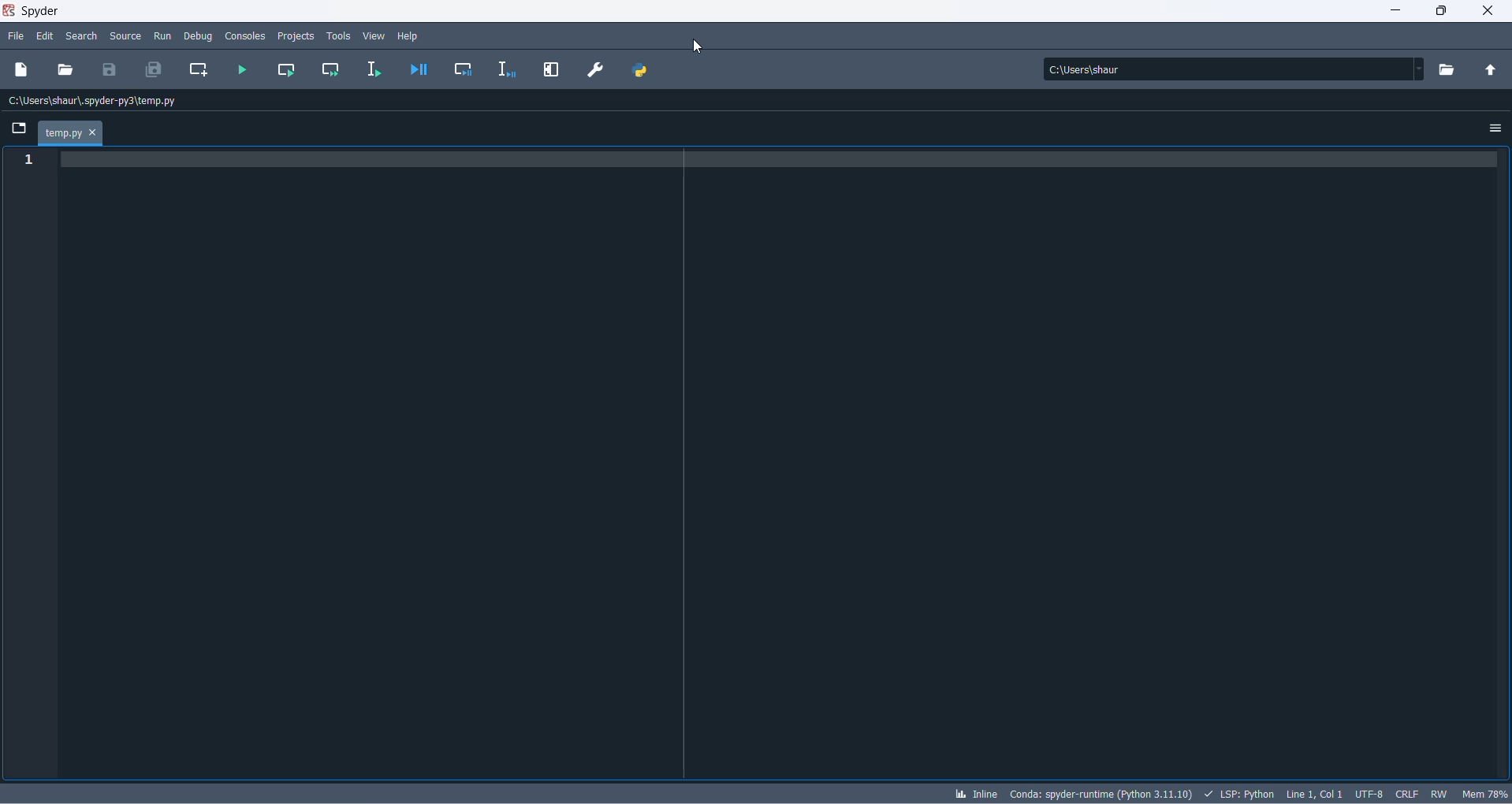 This screenshot has width=1512, height=804. Describe the element at coordinates (243, 70) in the screenshot. I see `run file` at that location.